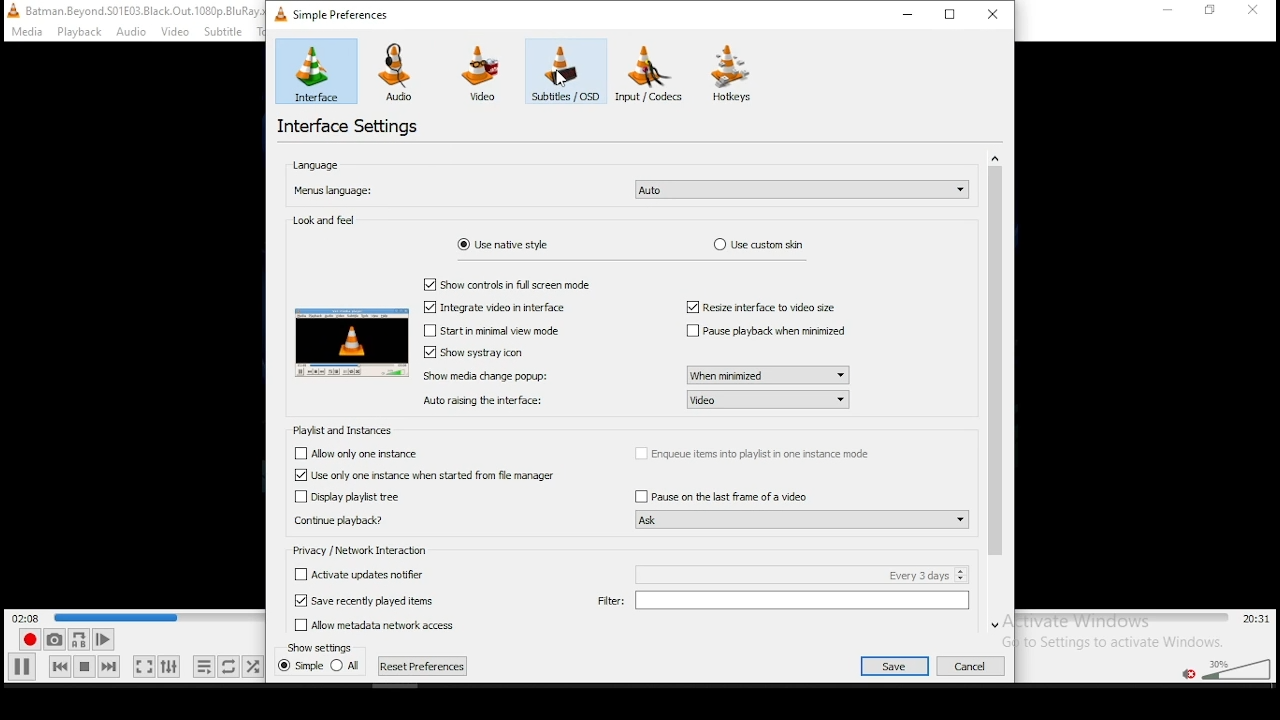  Describe the element at coordinates (795, 574) in the screenshot. I see `` at that location.